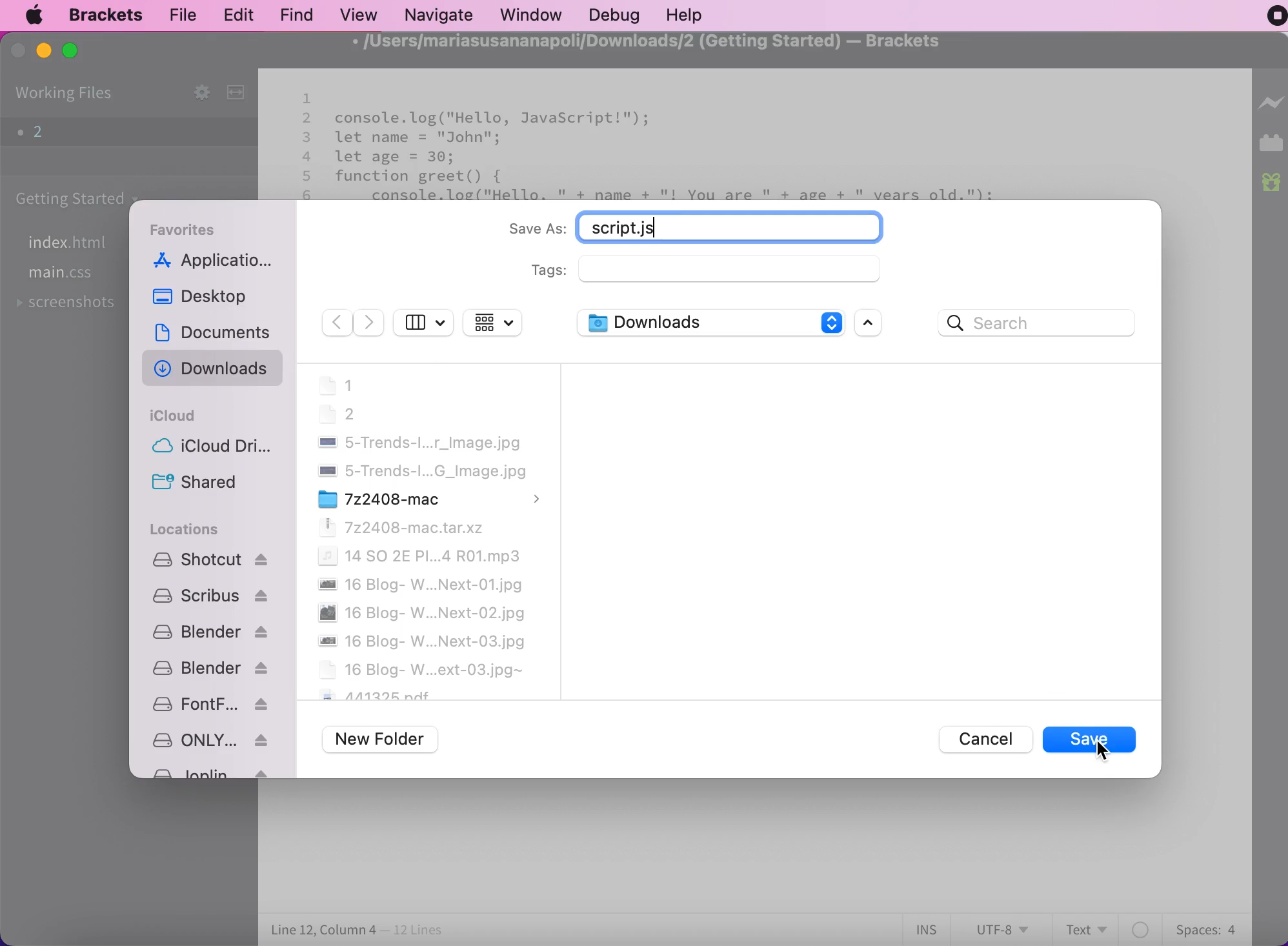  Describe the element at coordinates (1271, 146) in the screenshot. I see `extension manager` at that location.